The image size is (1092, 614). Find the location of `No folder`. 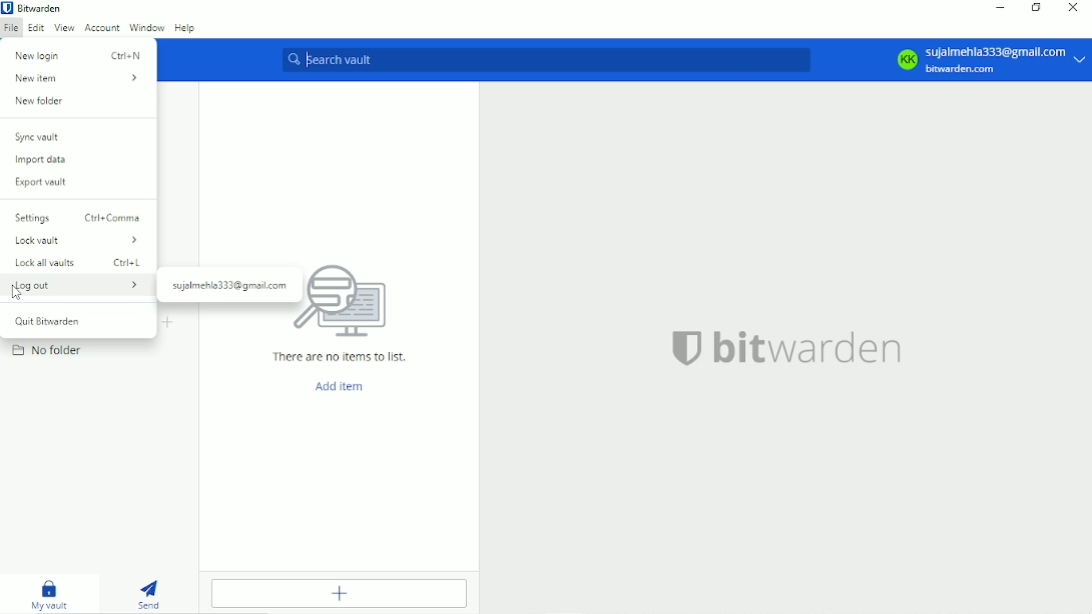

No folder is located at coordinates (47, 350).